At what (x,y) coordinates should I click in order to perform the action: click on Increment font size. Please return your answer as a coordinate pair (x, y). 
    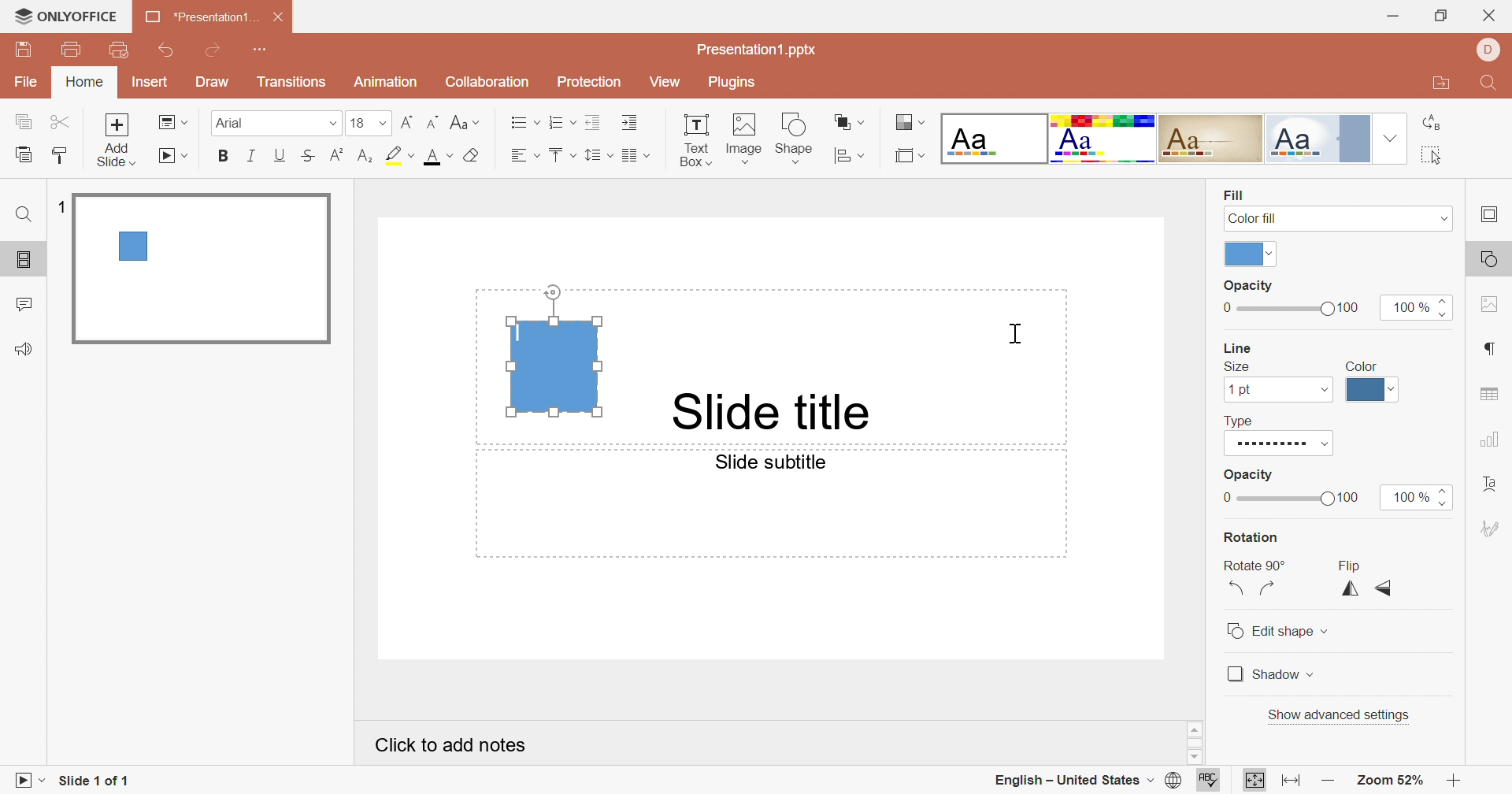
    Looking at the image, I should click on (403, 125).